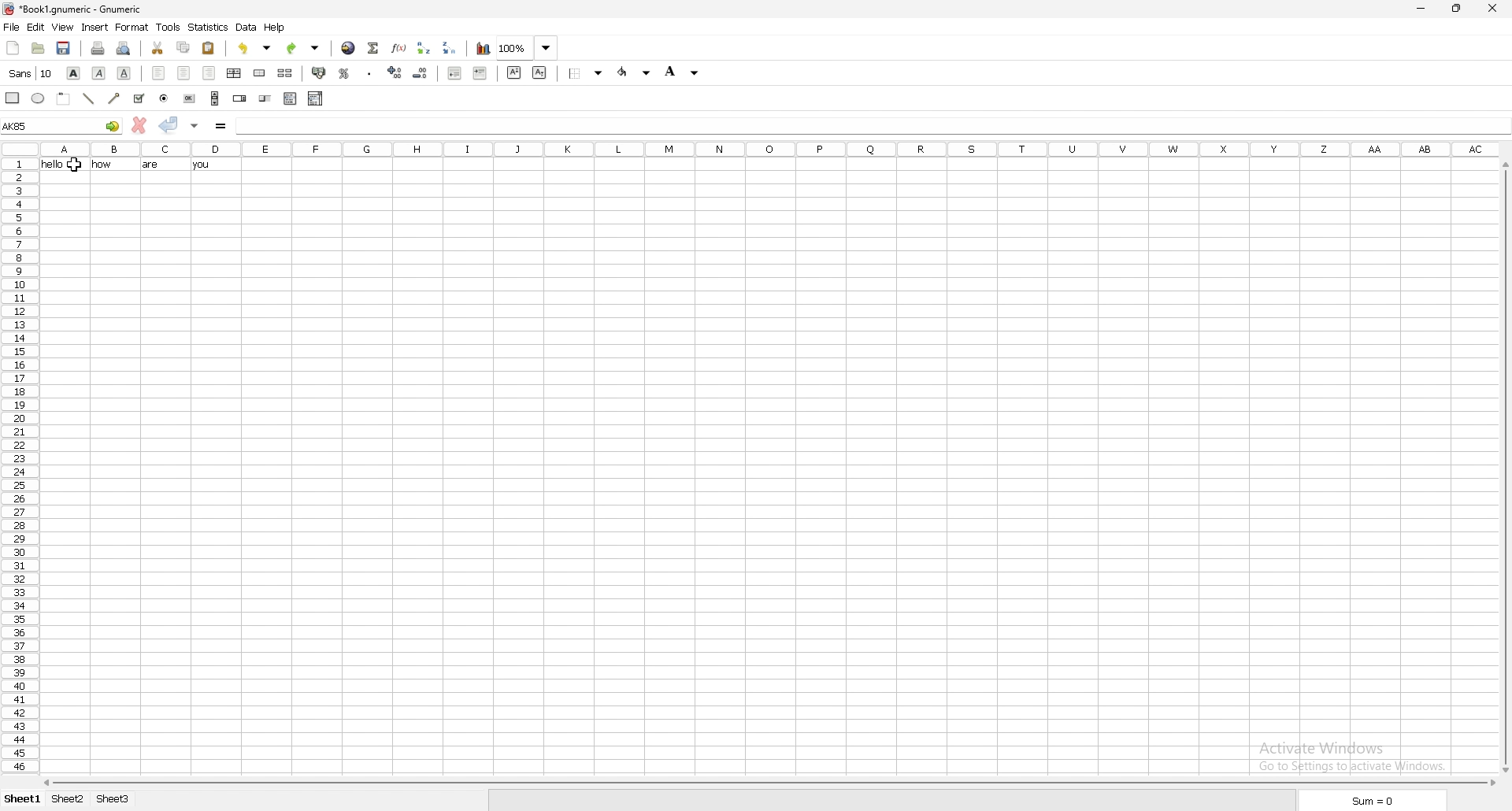  Describe the element at coordinates (124, 47) in the screenshot. I see `print preview` at that location.